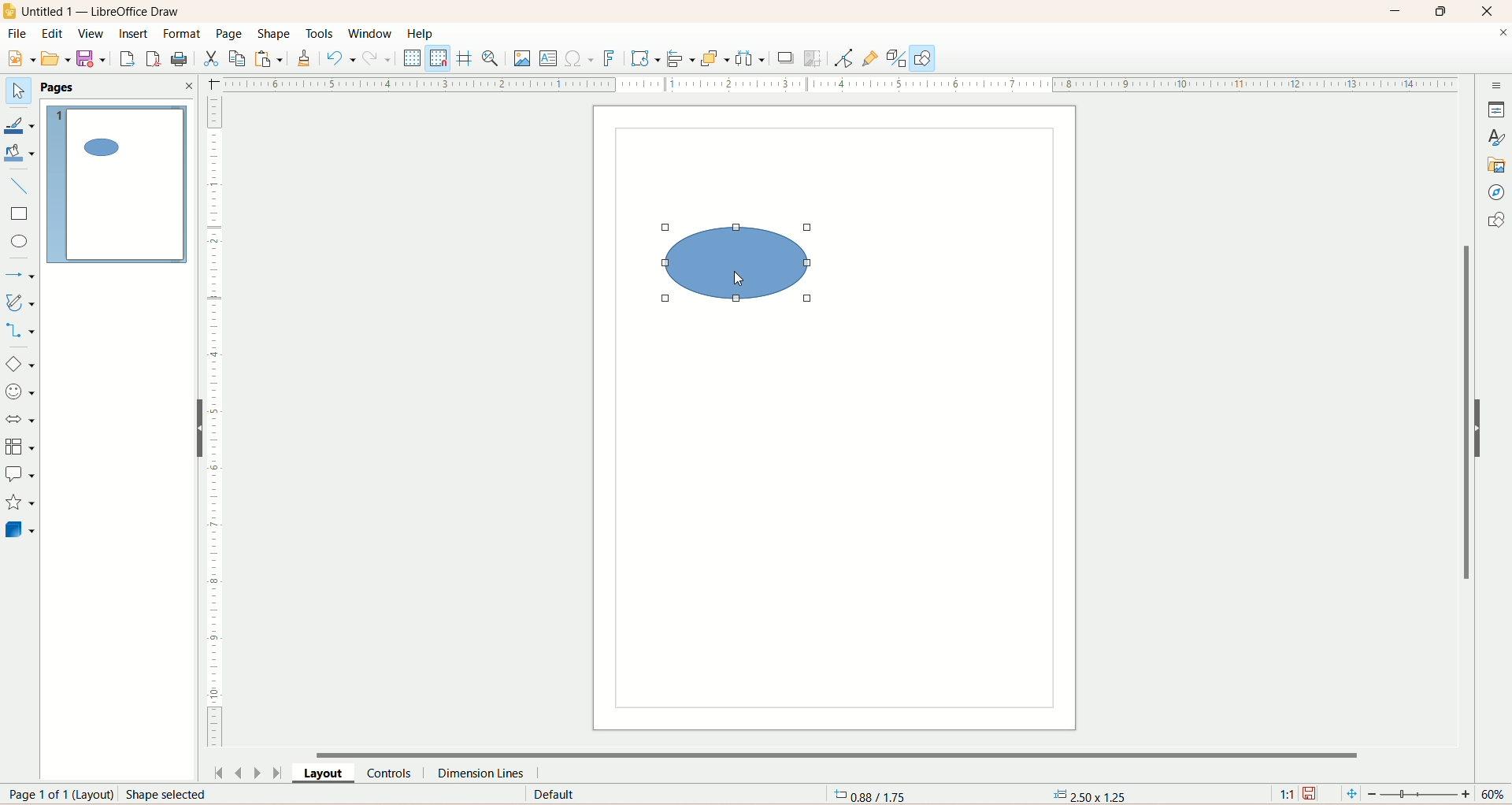  Describe the element at coordinates (551, 796) in the screenshot. I see `default` at that location.